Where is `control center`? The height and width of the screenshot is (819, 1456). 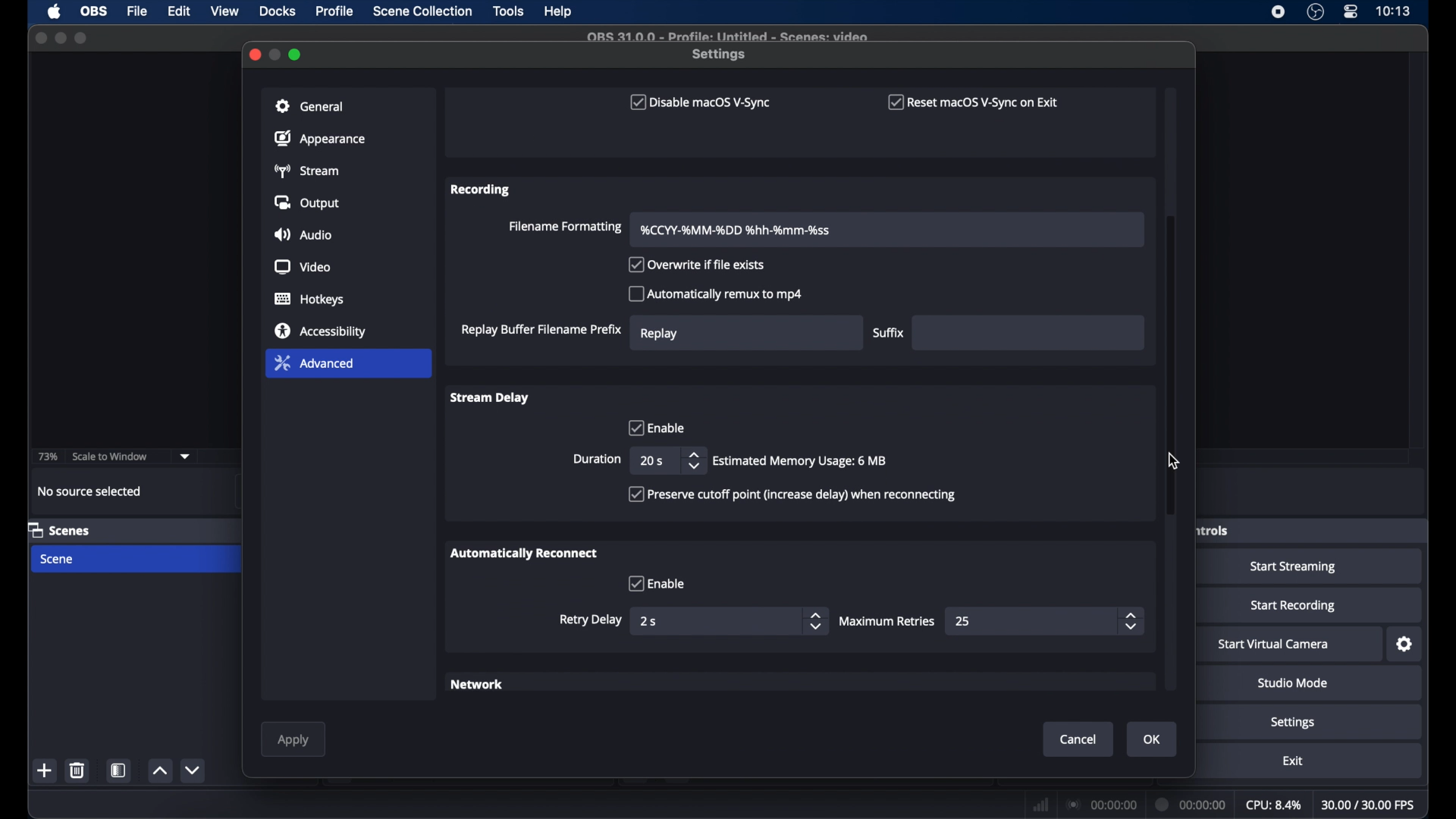
control center is located at coordinates (1350, 12).